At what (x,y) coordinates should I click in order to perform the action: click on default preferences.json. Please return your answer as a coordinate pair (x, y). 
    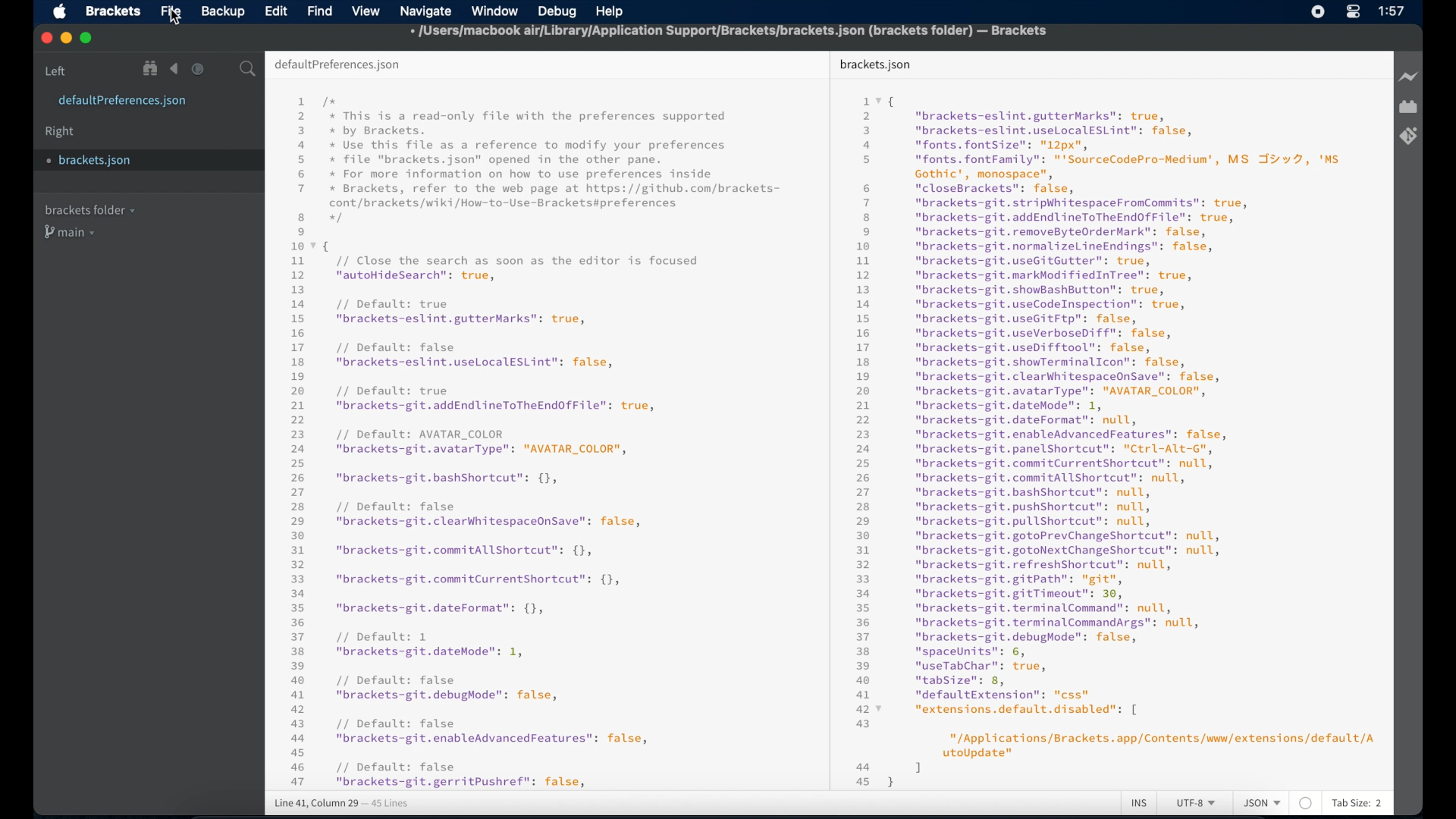
    Looking at the image, I should click on (337, 65).